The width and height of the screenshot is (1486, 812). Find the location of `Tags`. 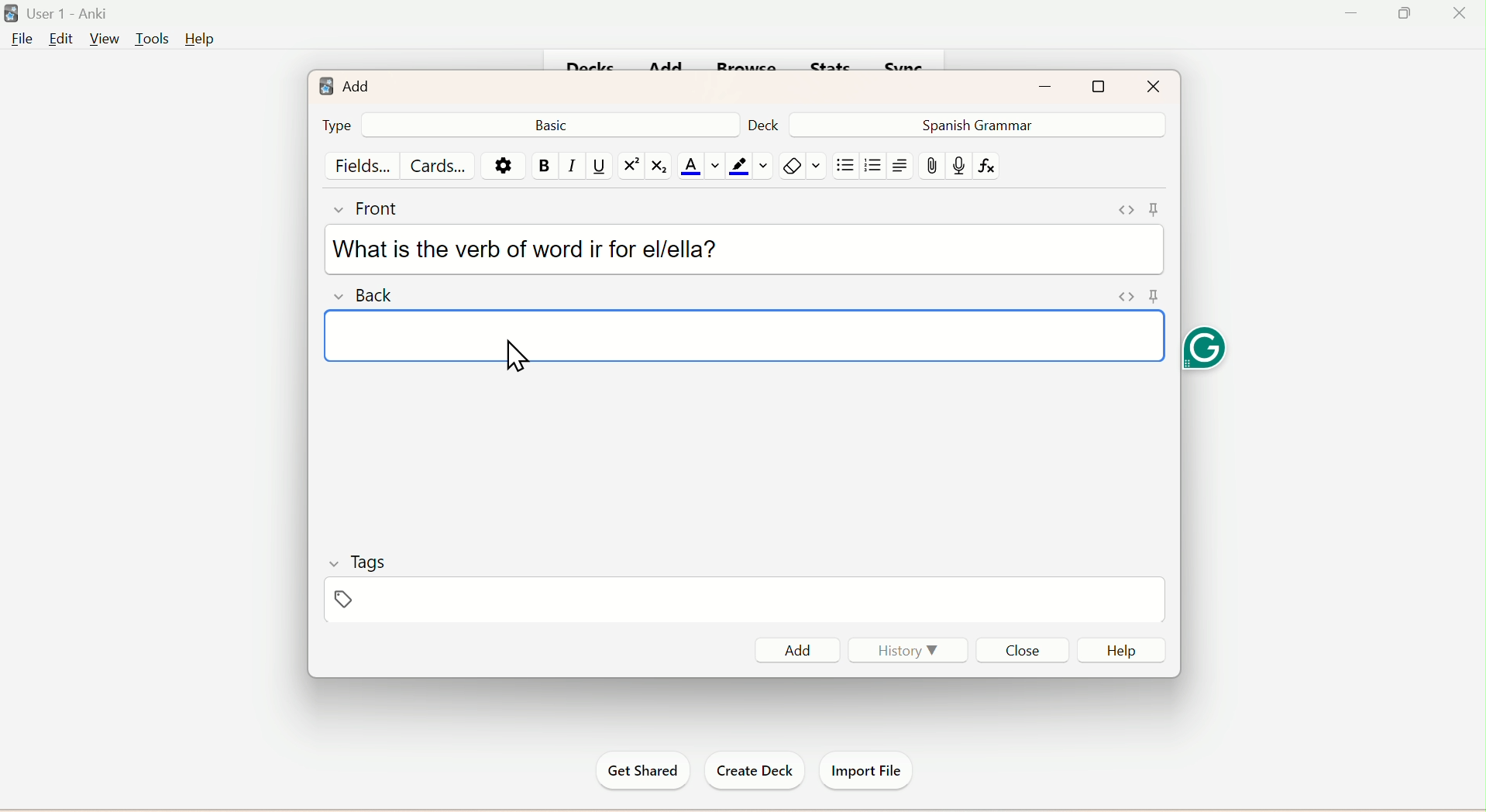

Tags is located at coordinates (369, 601).